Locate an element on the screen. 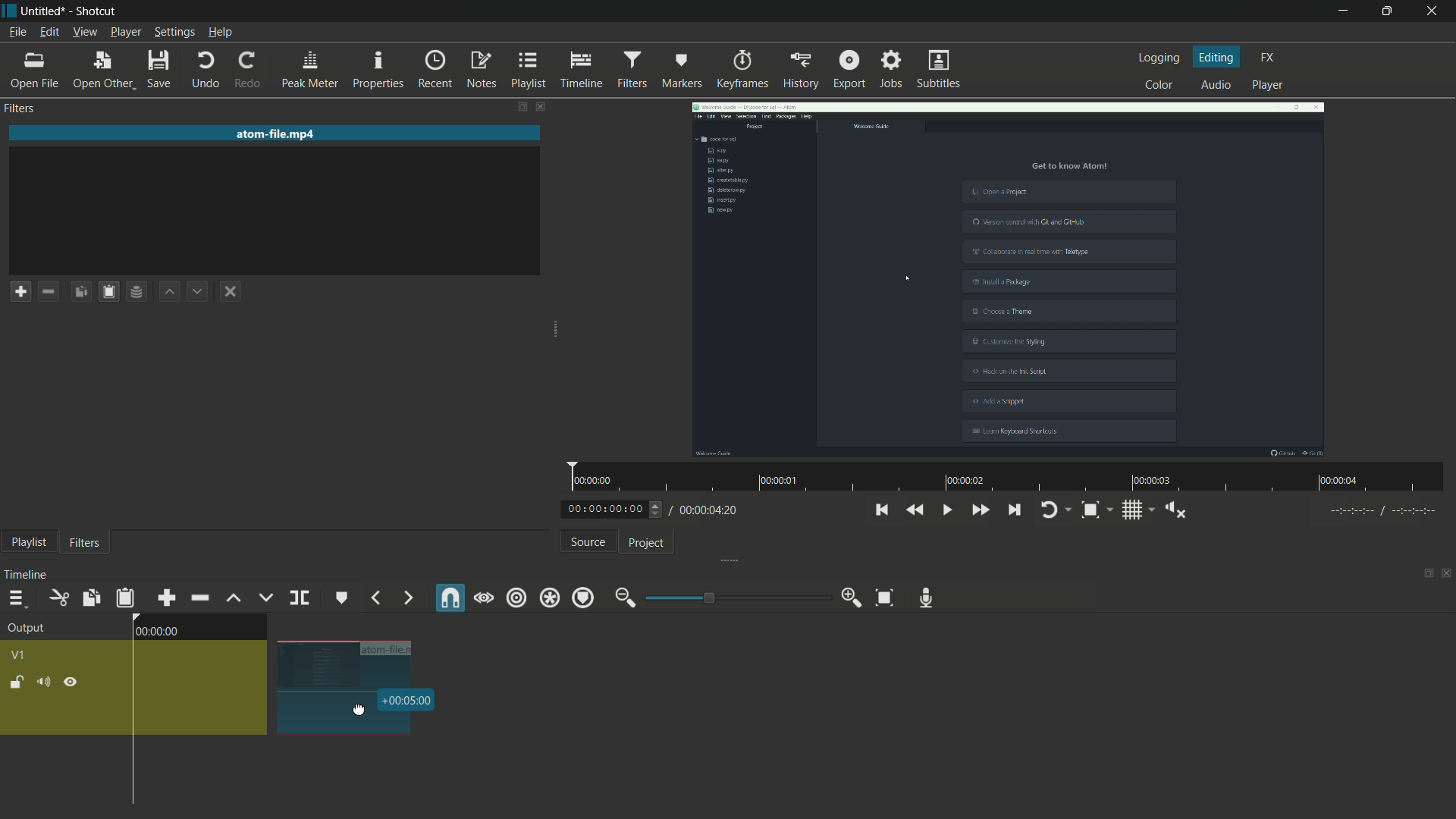  hide/show is located at coordinates (71, 683).